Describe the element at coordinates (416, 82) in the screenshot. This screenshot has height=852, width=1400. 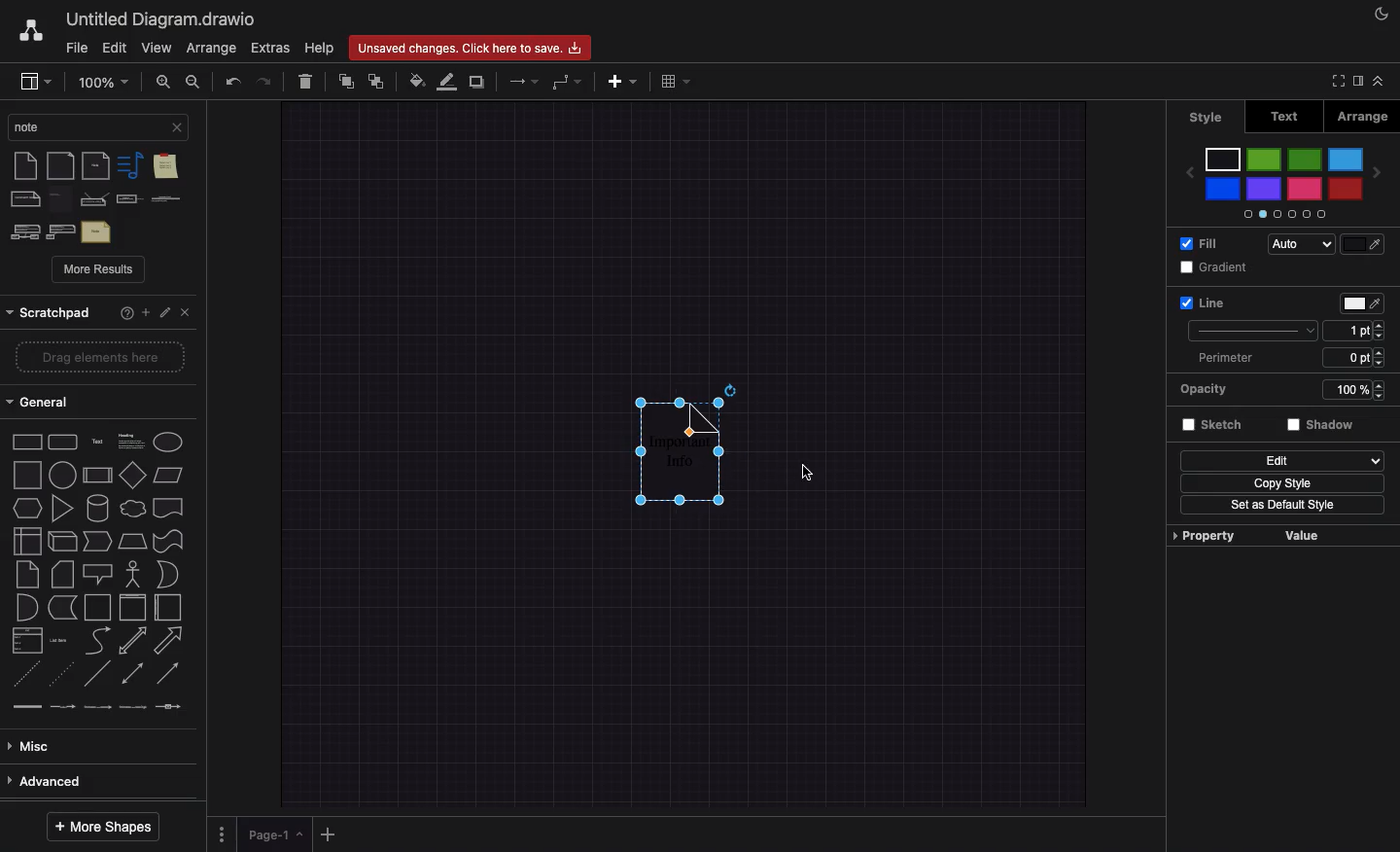
I see `Fill color` at that location.